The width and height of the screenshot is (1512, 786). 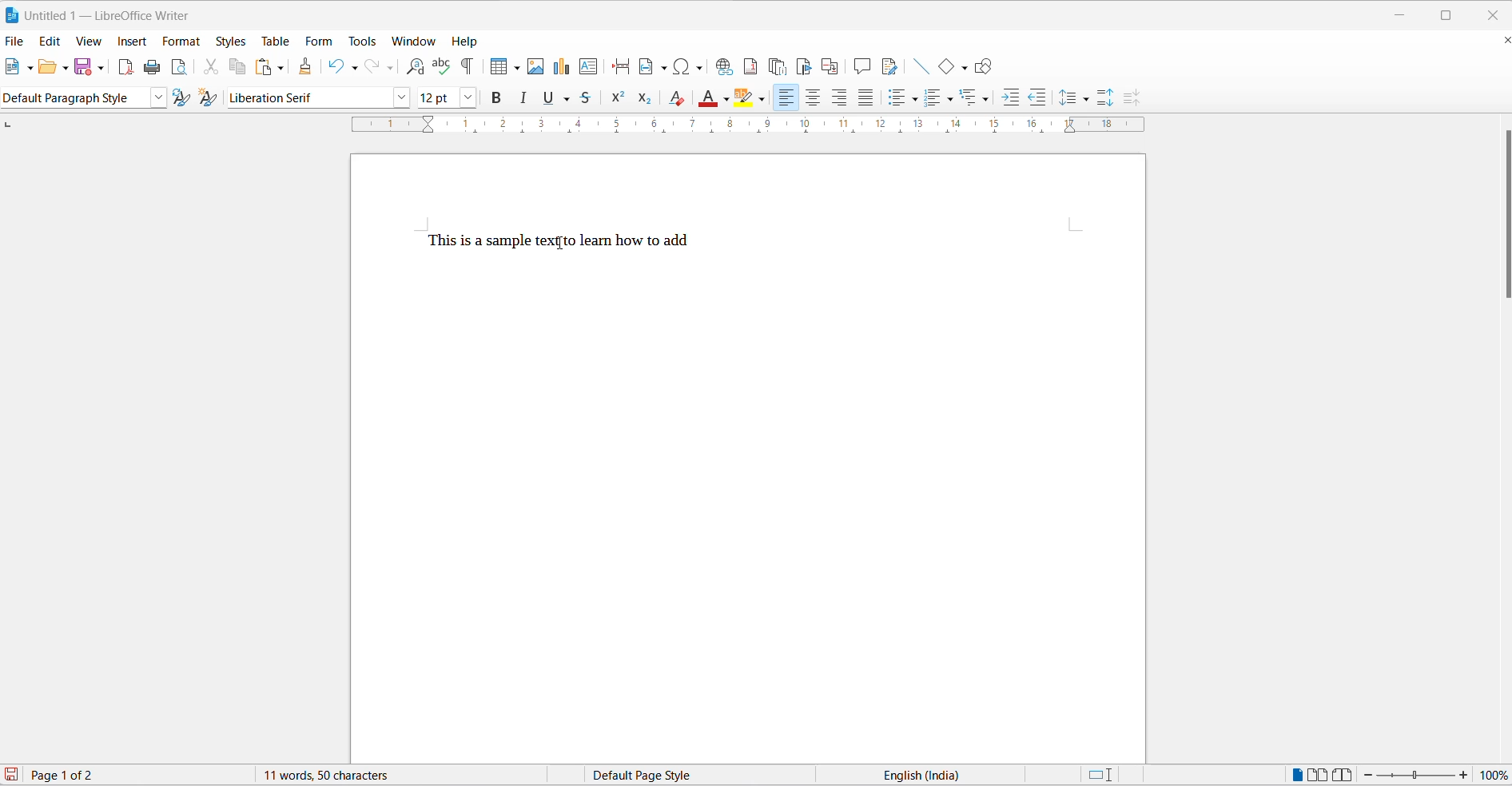 I want to click on font color, so click(x=710, y=98).